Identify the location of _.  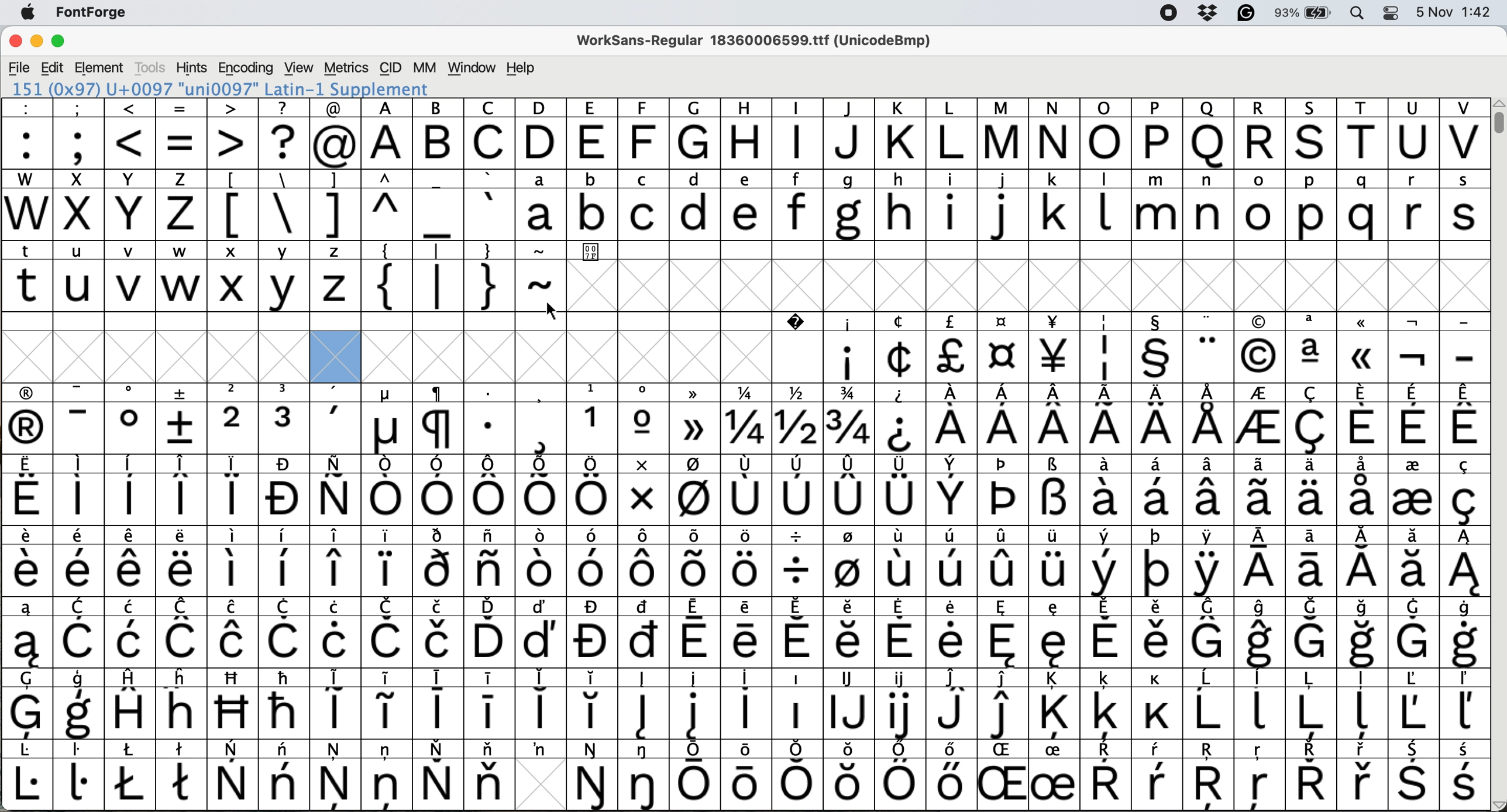
(439, 205).